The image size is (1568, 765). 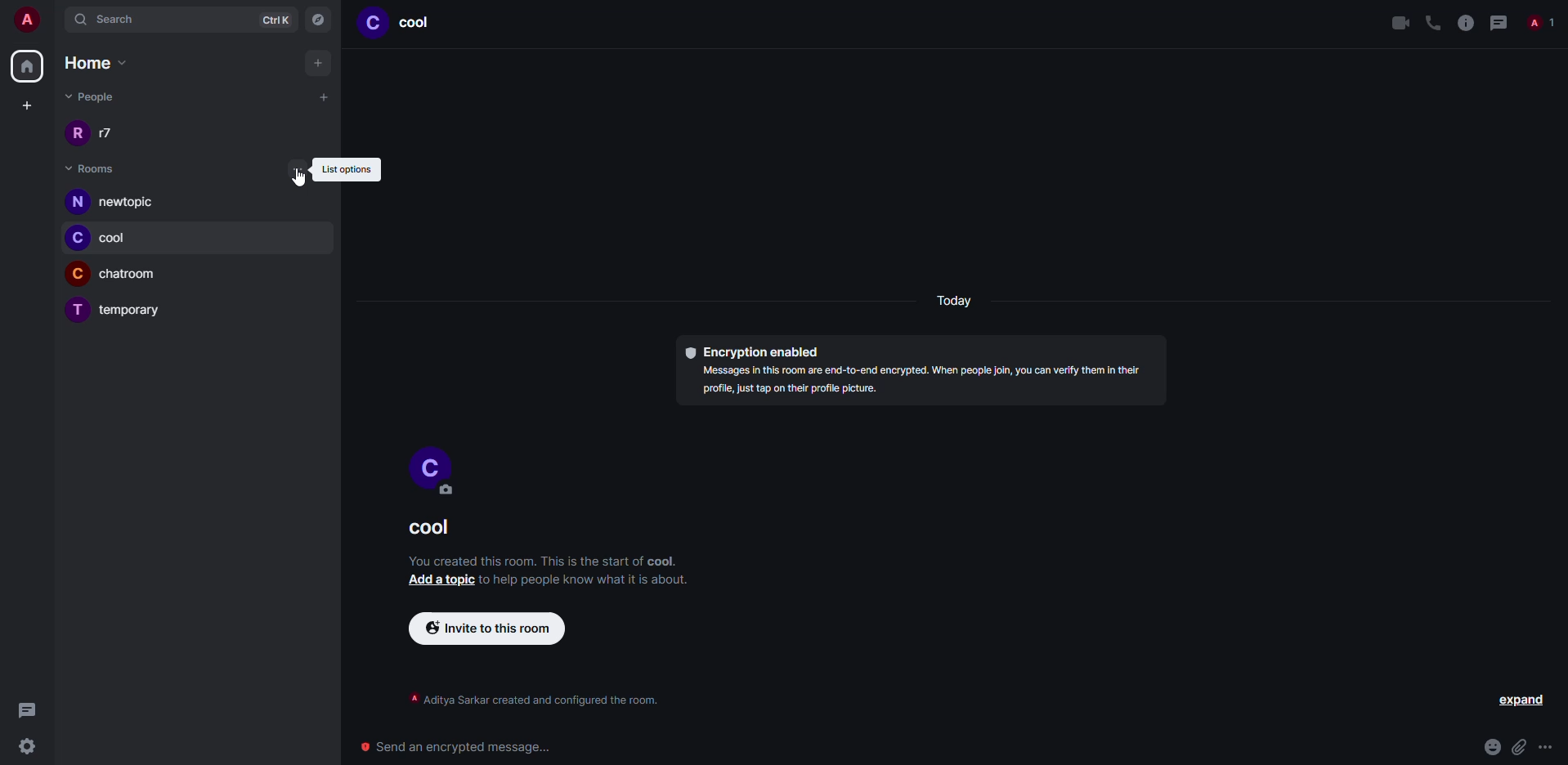 I want to click on newtopic, so click(x=126, y=200).